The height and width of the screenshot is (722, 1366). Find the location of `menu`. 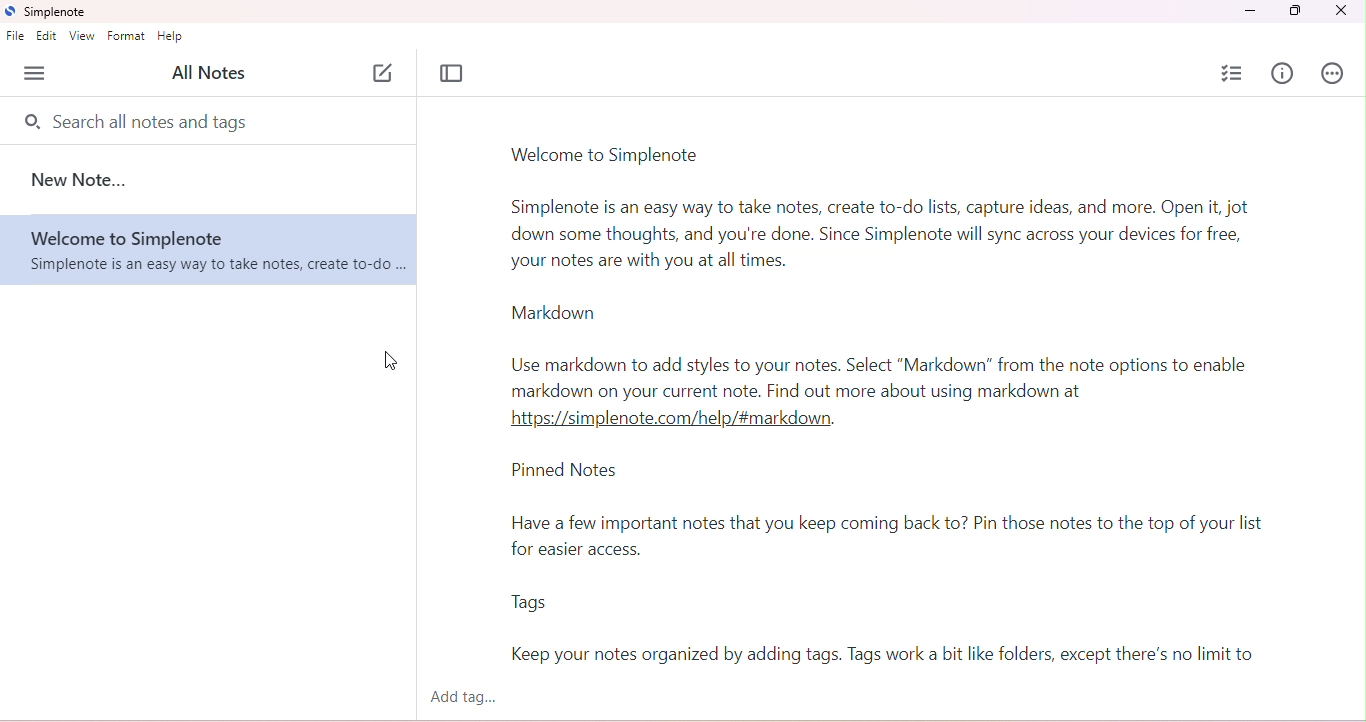

menu is located at coordinates (37, 74).